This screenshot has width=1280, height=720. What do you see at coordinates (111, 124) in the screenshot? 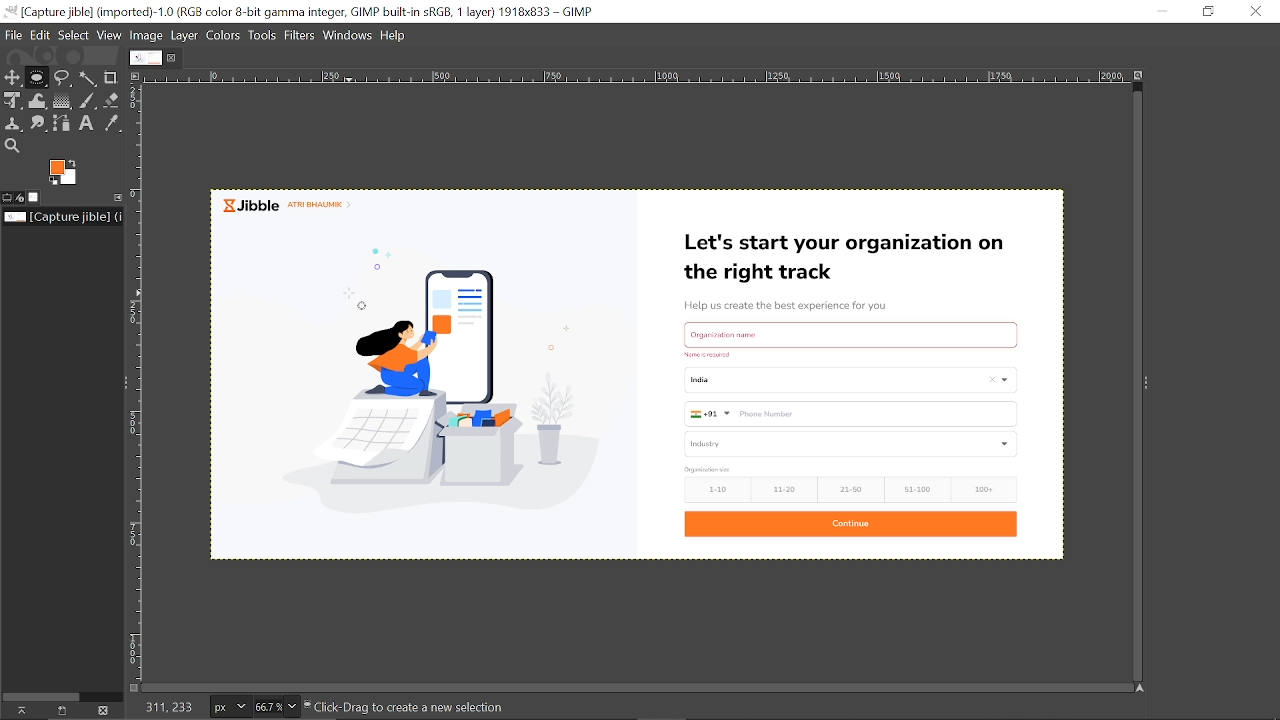
I see `Color picker tool` at bounding box center [111, 124].